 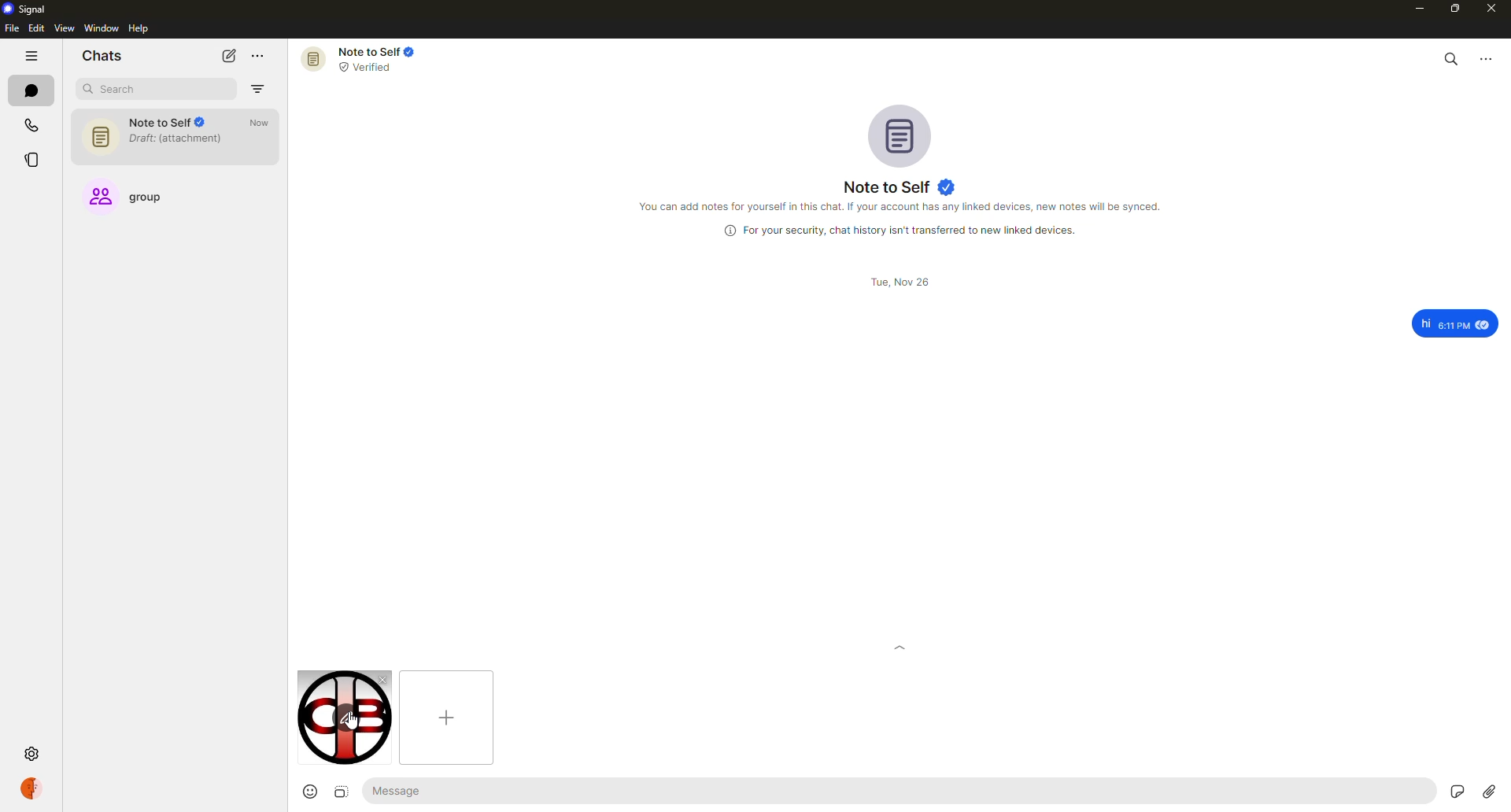 I want to click on more, so click(x=260, y=56).